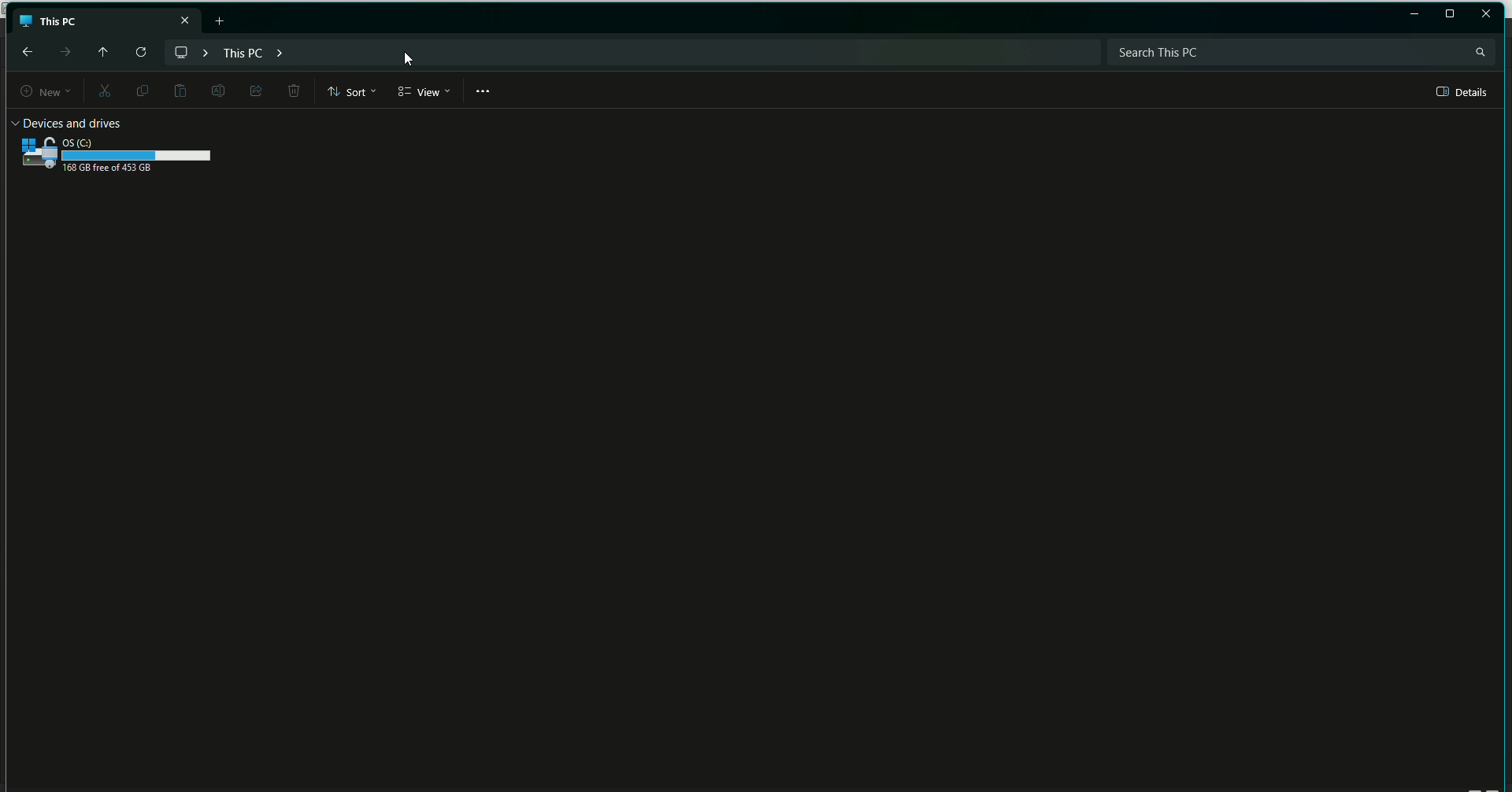 The height and width of the screenshot is (792, 1512). Describe the element at coordinates (293, 92) in the screenshot. I see `Delete` at that location.